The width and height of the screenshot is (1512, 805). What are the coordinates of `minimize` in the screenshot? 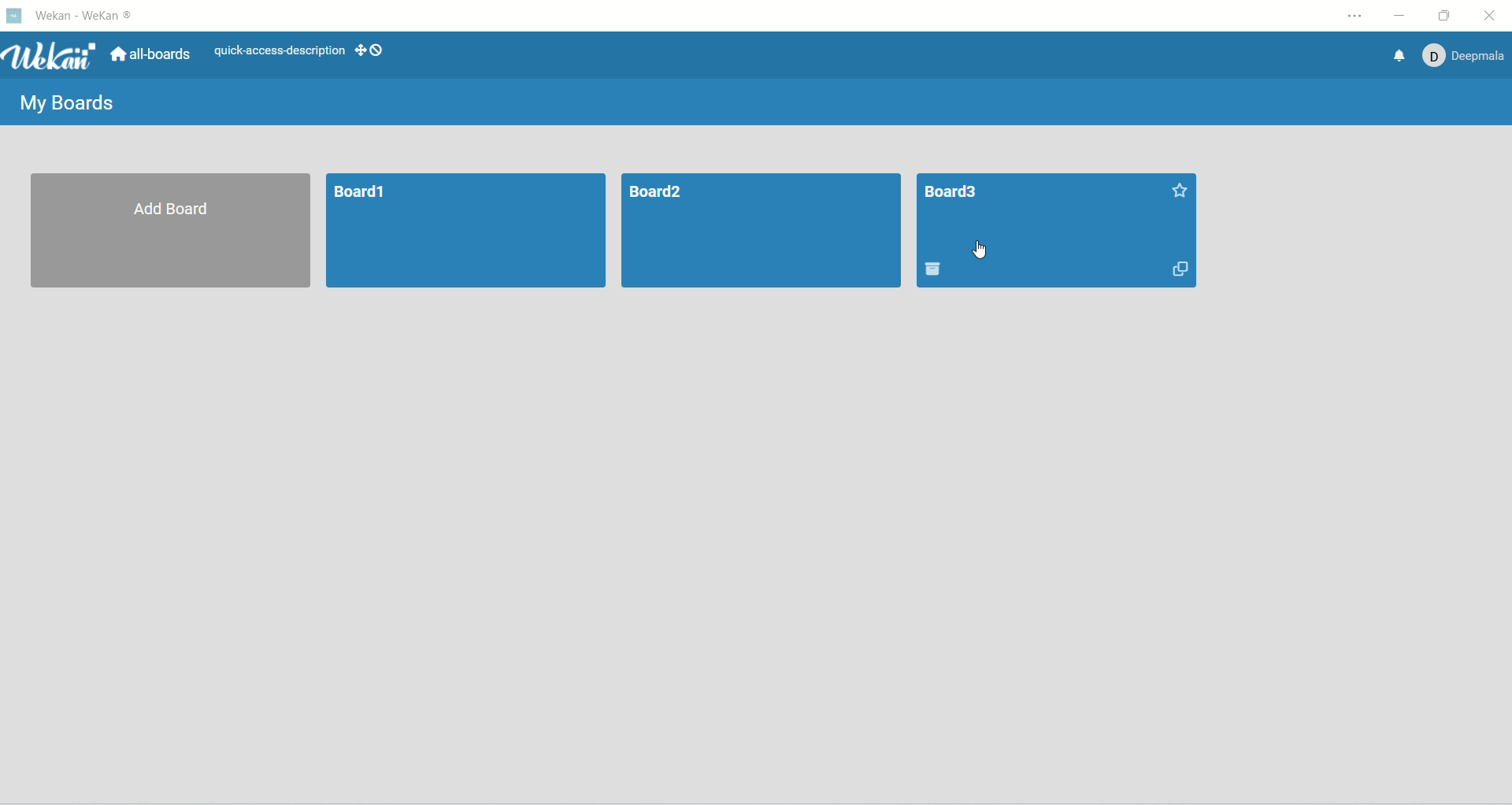 It's located at (1405, 15).